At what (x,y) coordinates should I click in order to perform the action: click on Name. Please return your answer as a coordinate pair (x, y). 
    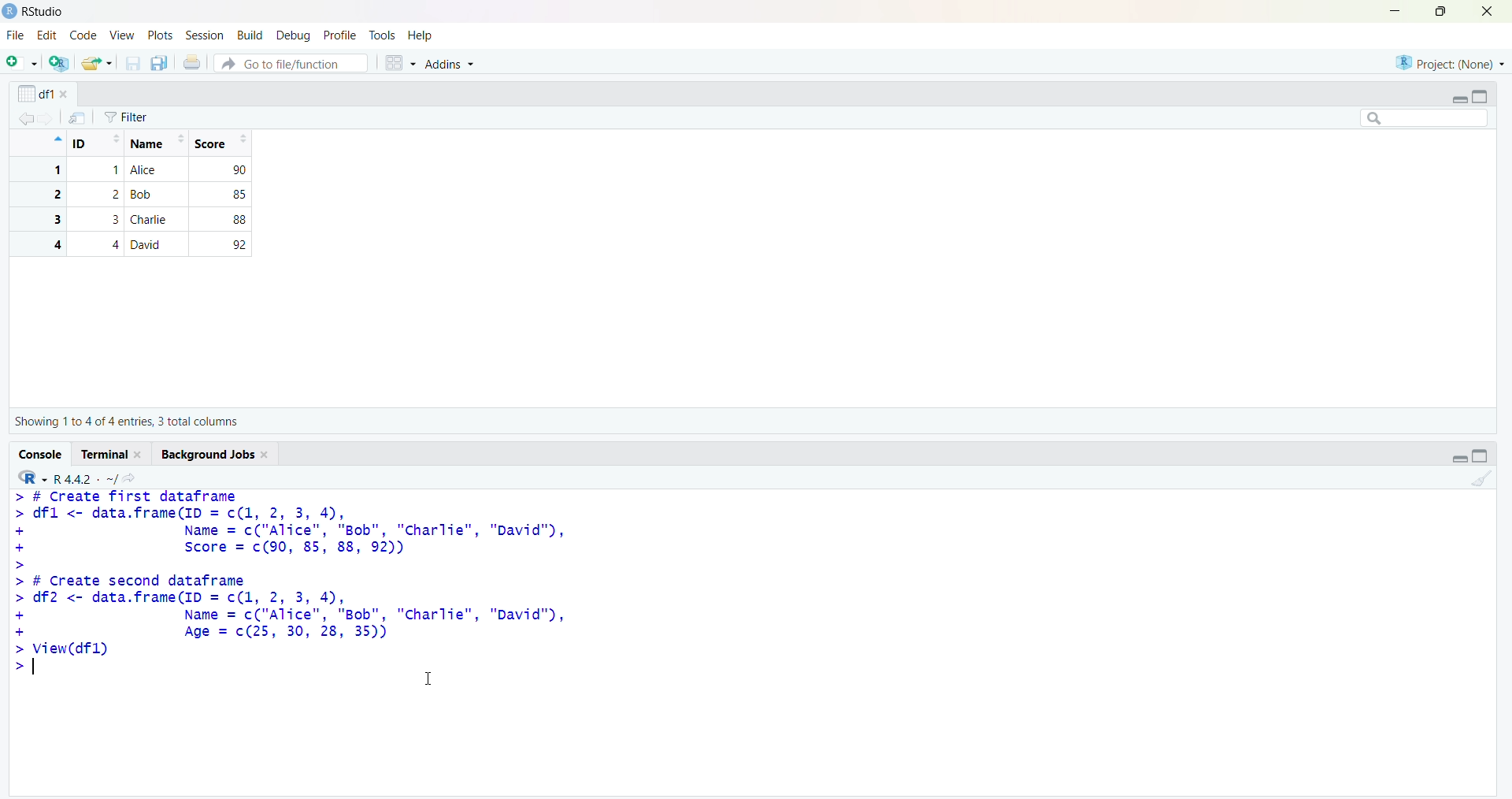
    Looking at the image, I should click on (156, 143).